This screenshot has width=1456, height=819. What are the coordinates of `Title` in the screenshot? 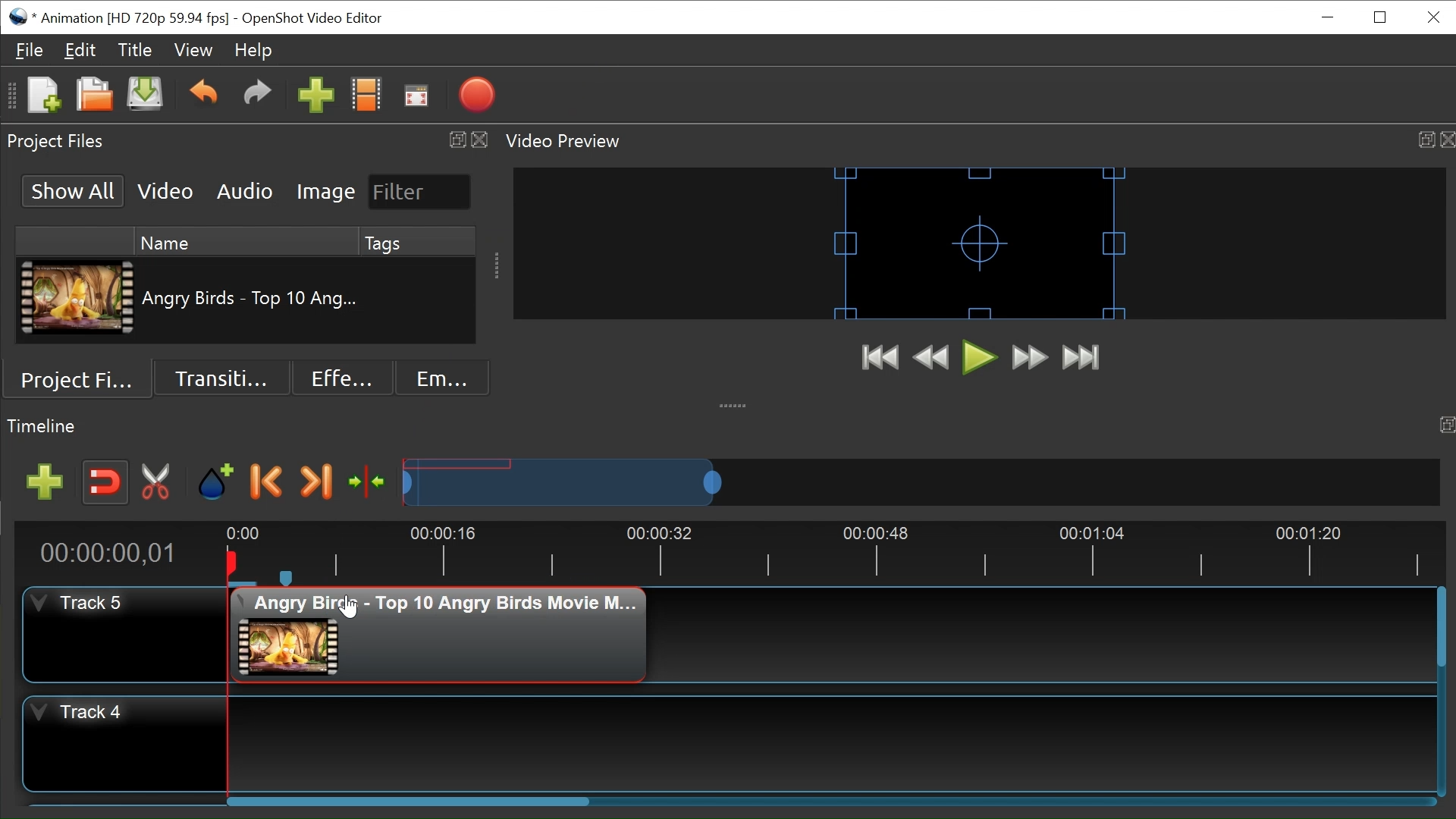 It's located at (136, 50).